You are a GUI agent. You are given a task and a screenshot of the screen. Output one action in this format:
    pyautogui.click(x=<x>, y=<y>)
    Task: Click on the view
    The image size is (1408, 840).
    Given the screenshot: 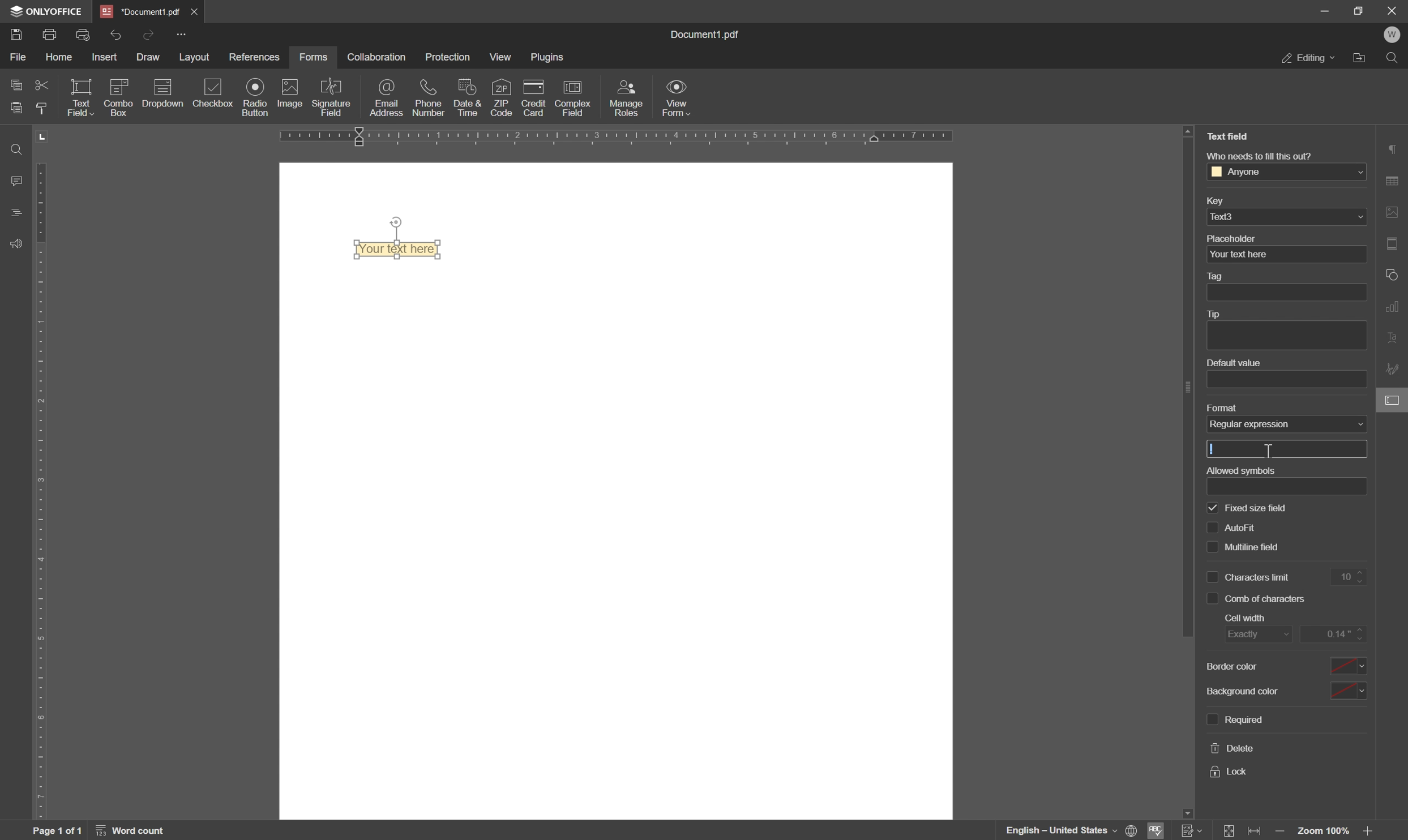 What is the action you would take?
    pyautogui.click(x=500, y=58)
    